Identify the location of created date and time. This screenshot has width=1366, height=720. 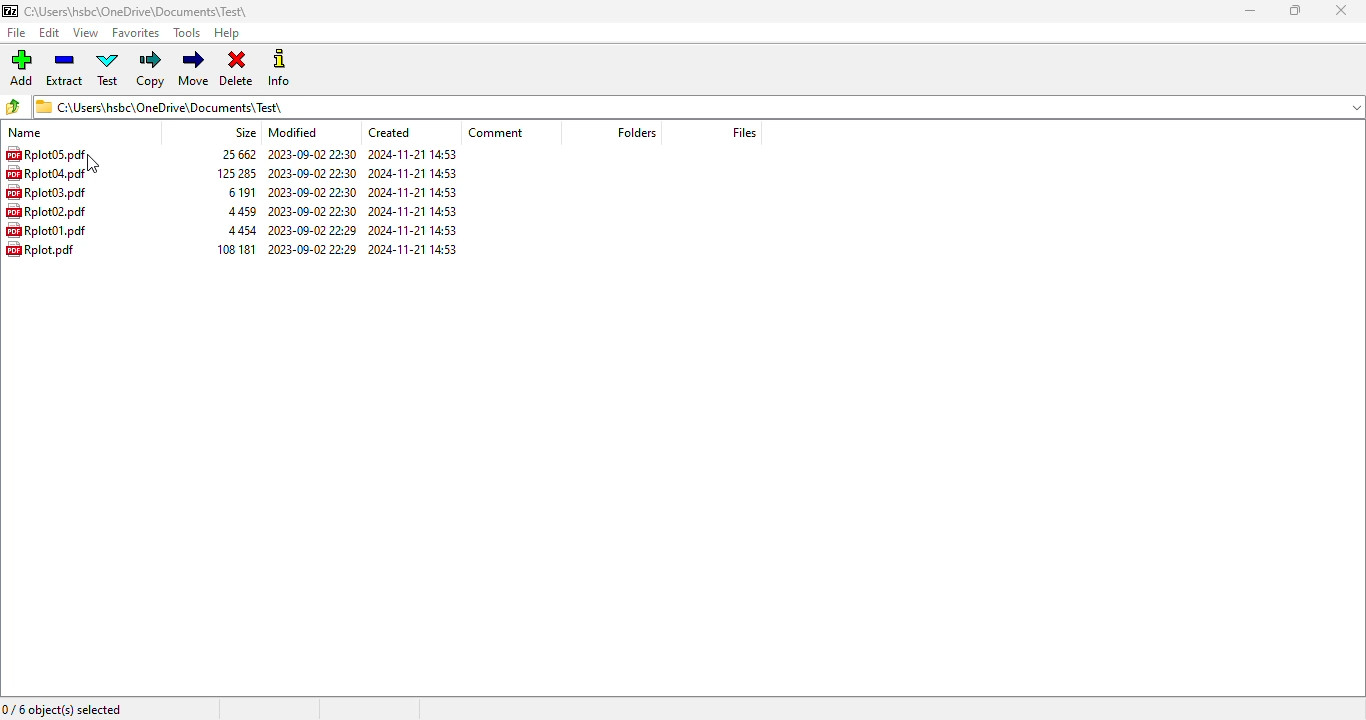
(412, 154).